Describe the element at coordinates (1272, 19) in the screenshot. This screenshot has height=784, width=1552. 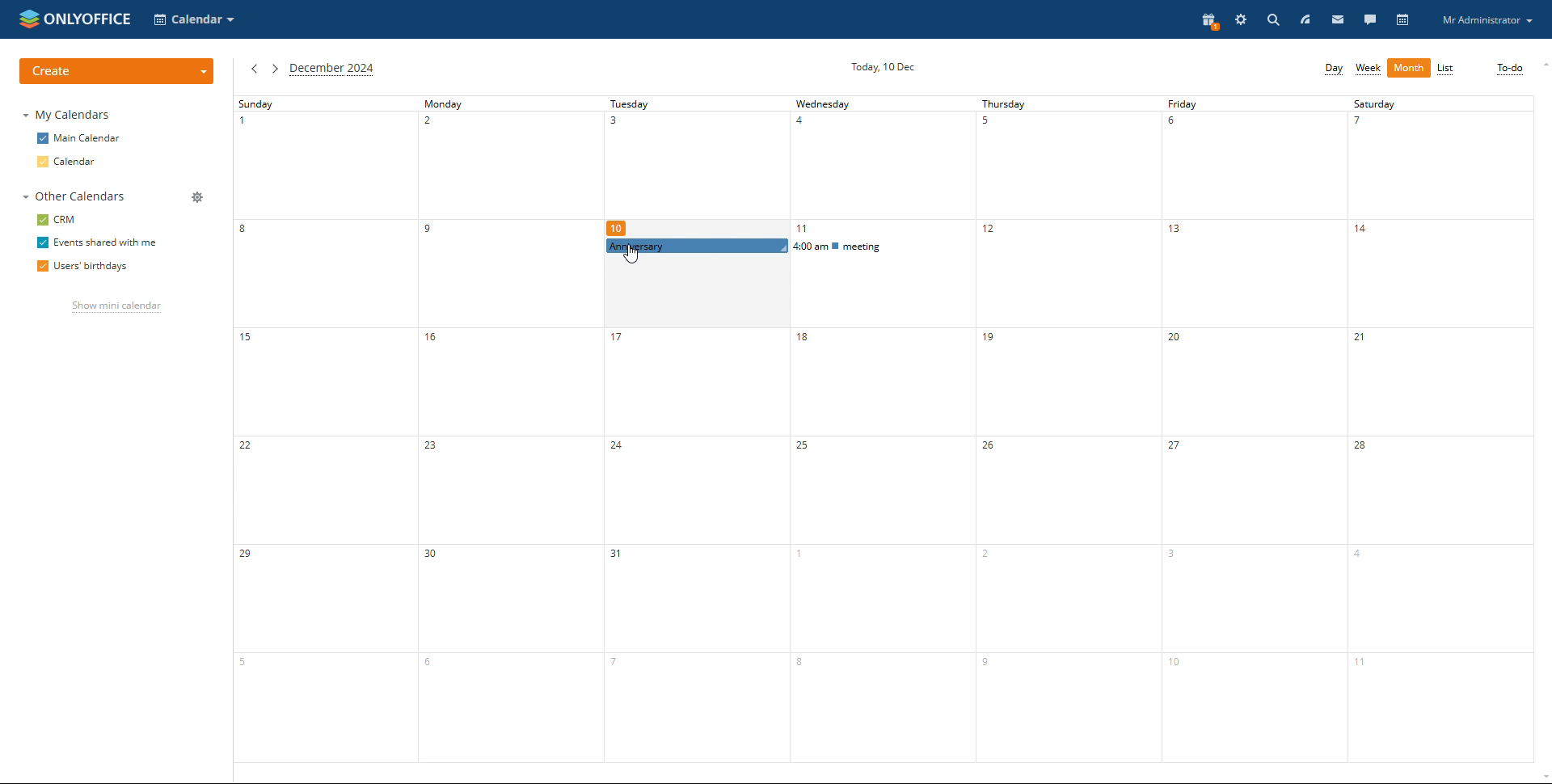
I see `search` at that location.